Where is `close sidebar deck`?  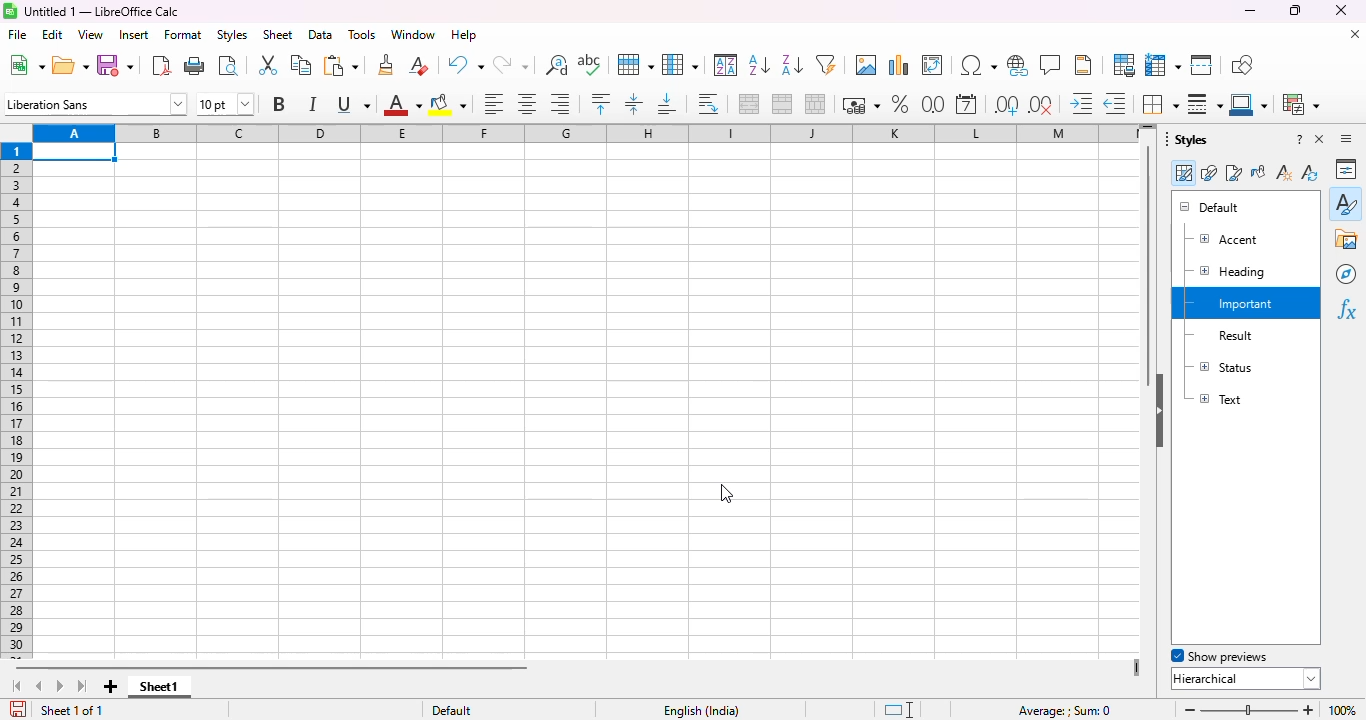
close sidebar deck is located at coordinates (1320, 138).